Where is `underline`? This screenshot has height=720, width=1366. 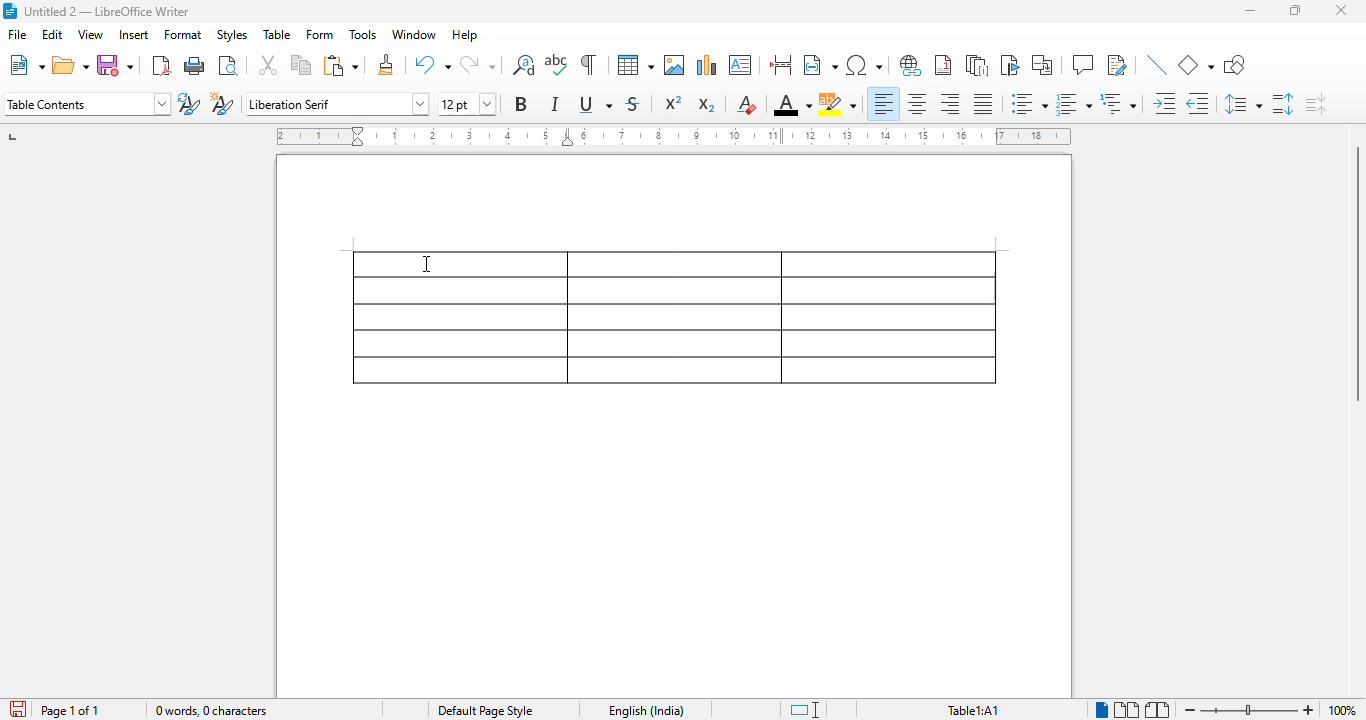 underline is located at coordinates (595, 103).